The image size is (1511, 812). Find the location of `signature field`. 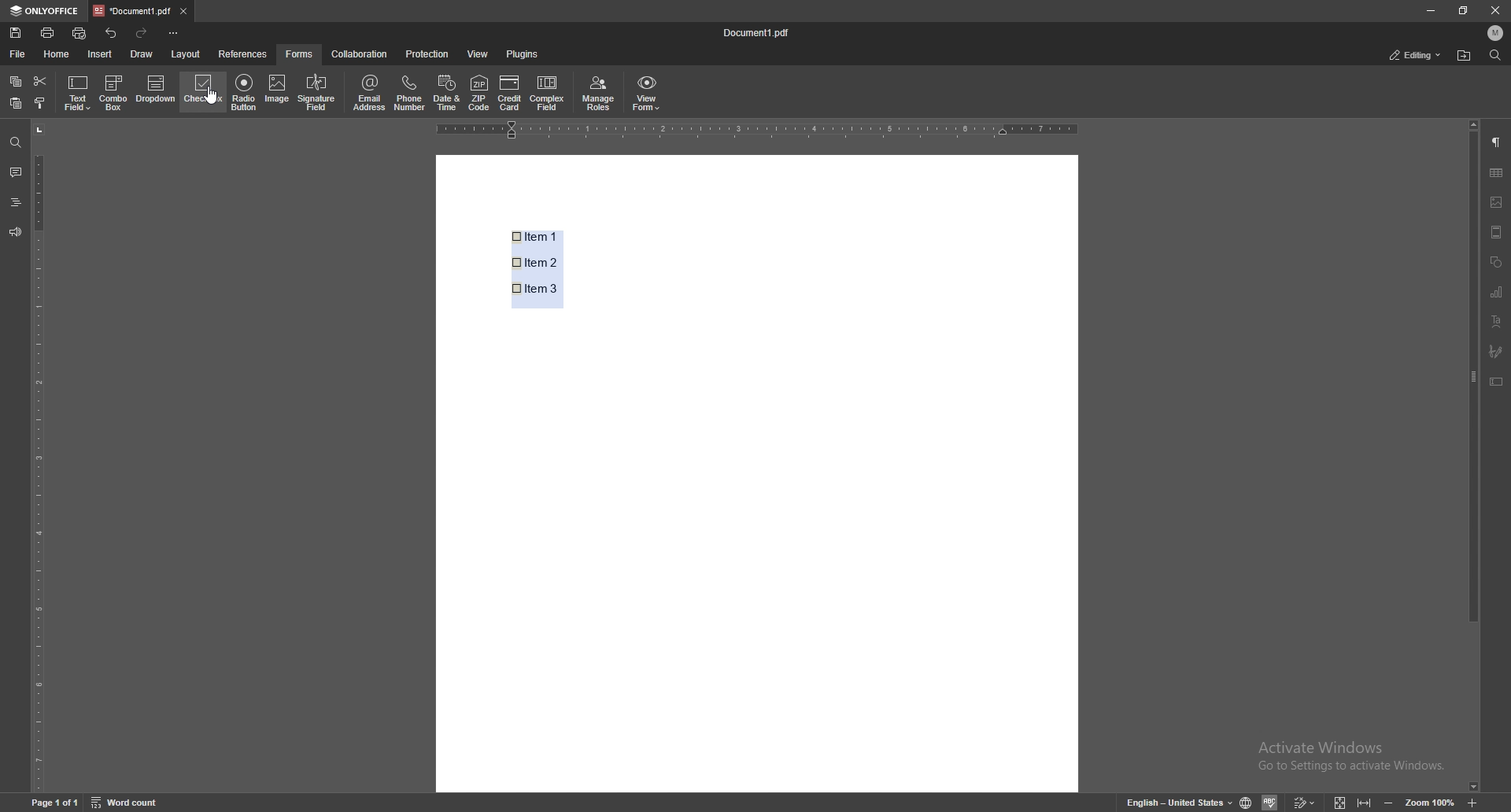

signature field is located at coordinates (1496, 351).